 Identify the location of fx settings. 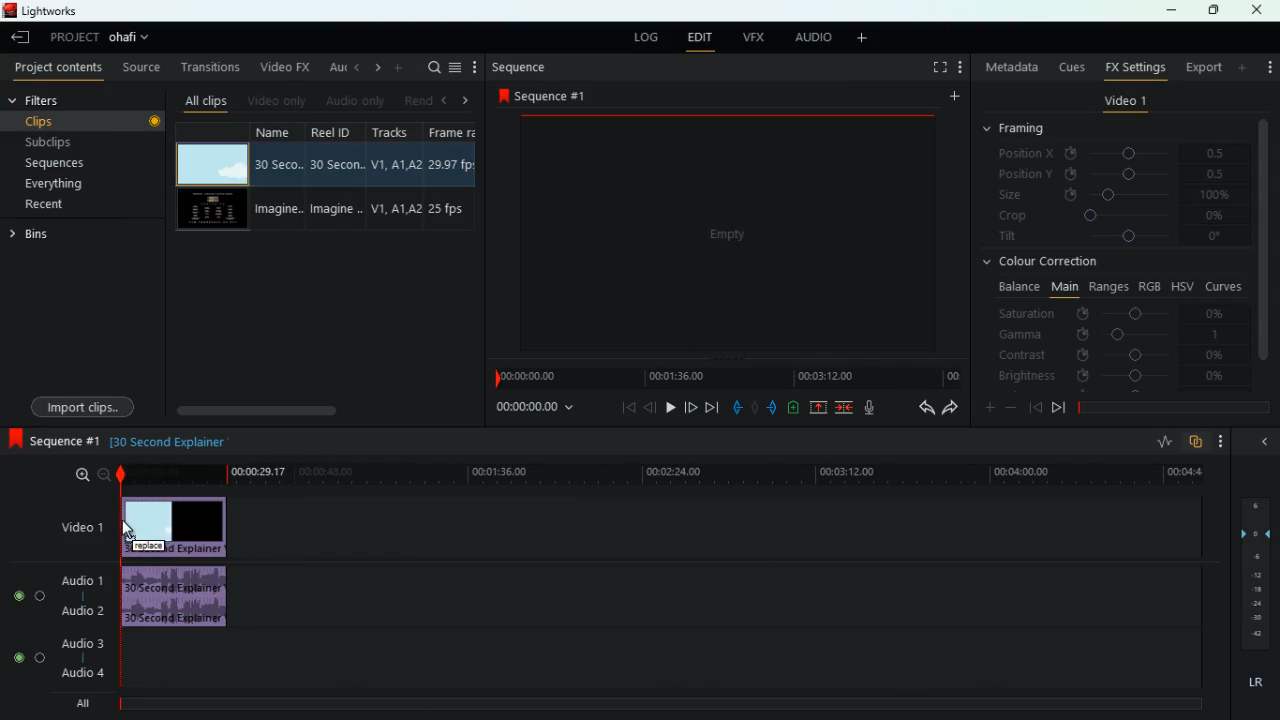
(1134, 66).